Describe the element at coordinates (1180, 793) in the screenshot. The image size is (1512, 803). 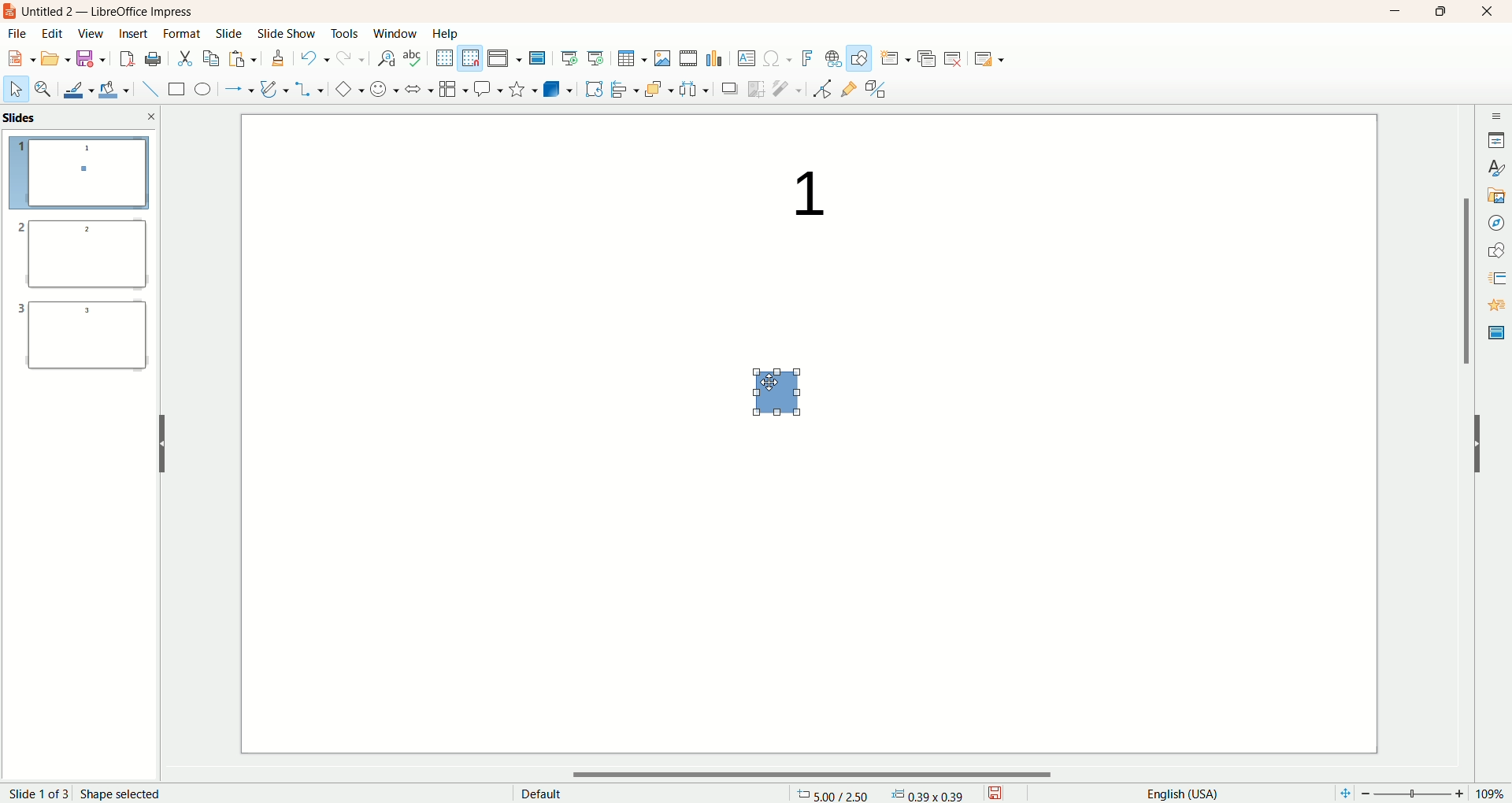
I see `english` at that location.